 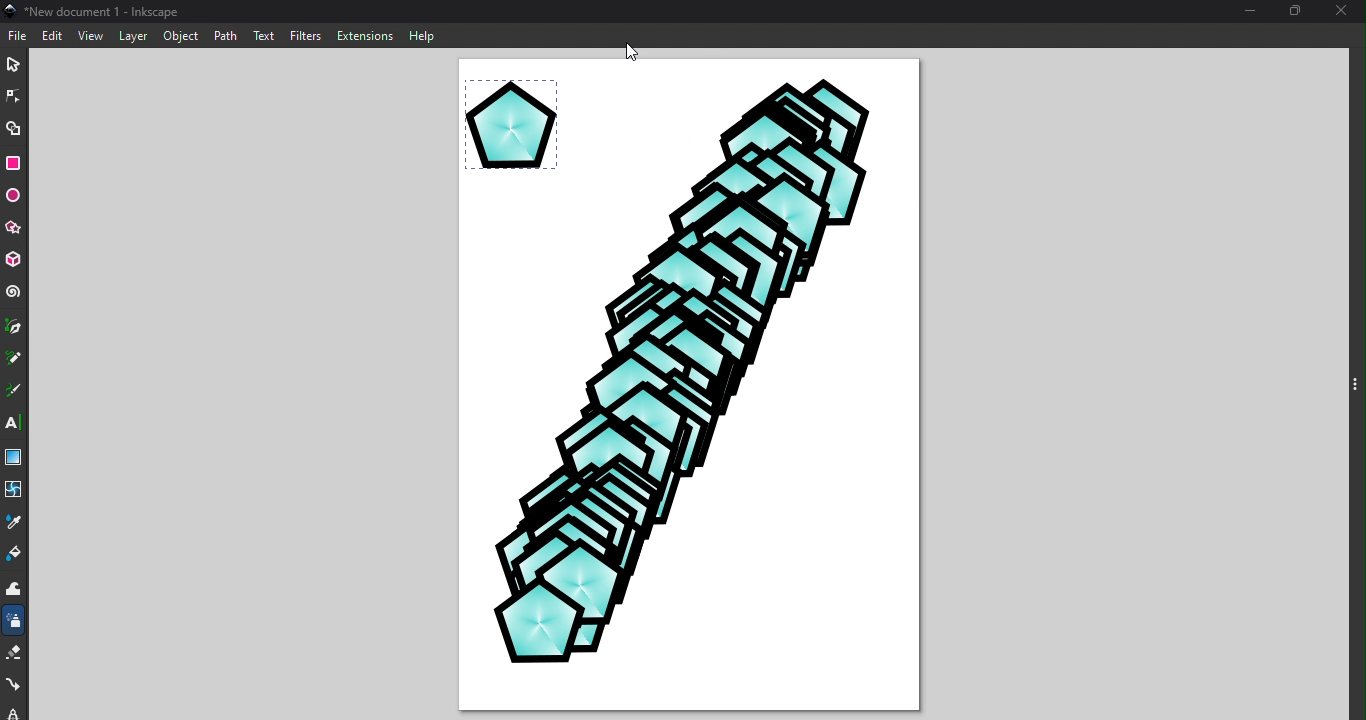 What do you see at coordinates (15, 165) in the screenshot?
I see `Rectangle tool` at bounding box center [15, 165].